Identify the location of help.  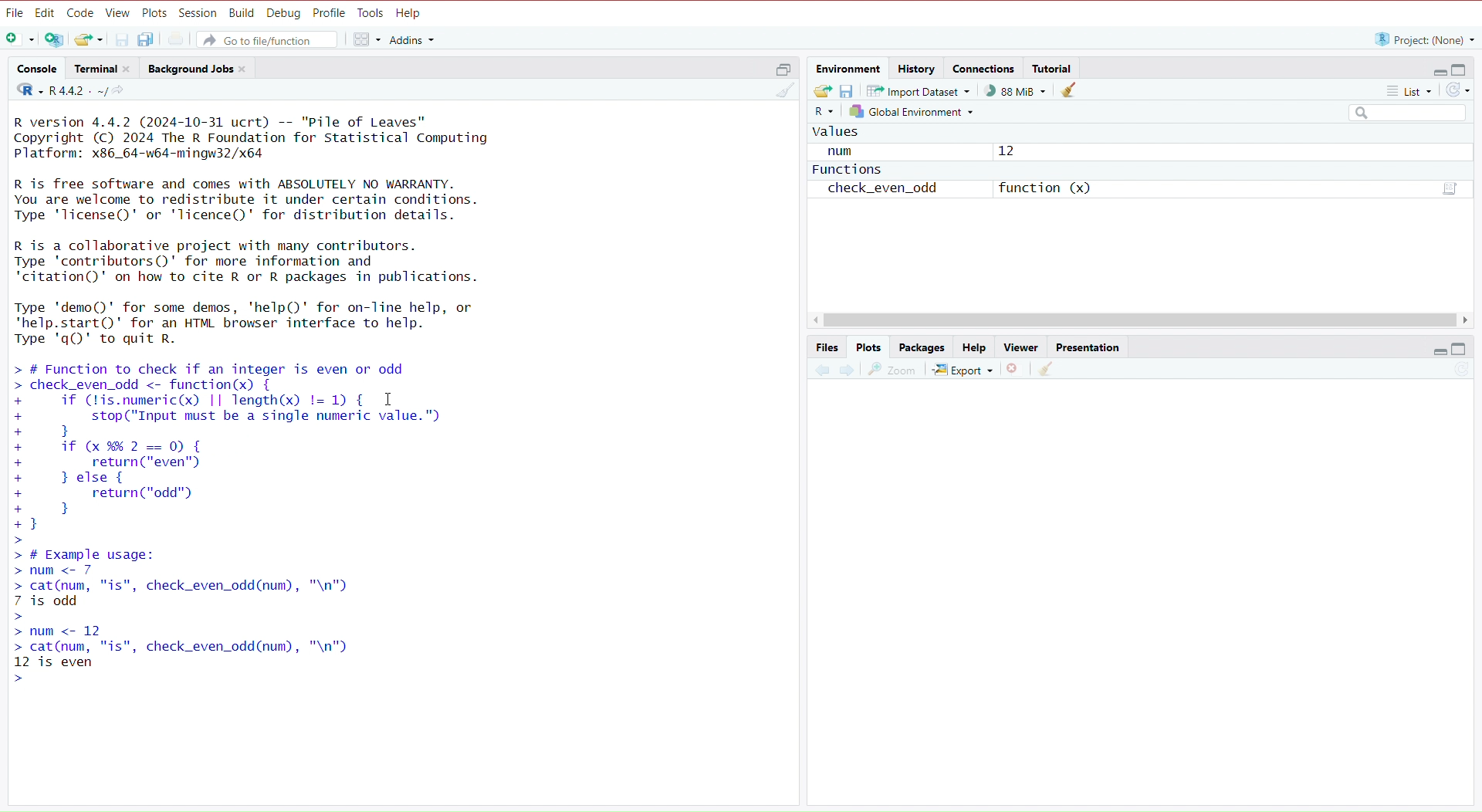
(972, 348).